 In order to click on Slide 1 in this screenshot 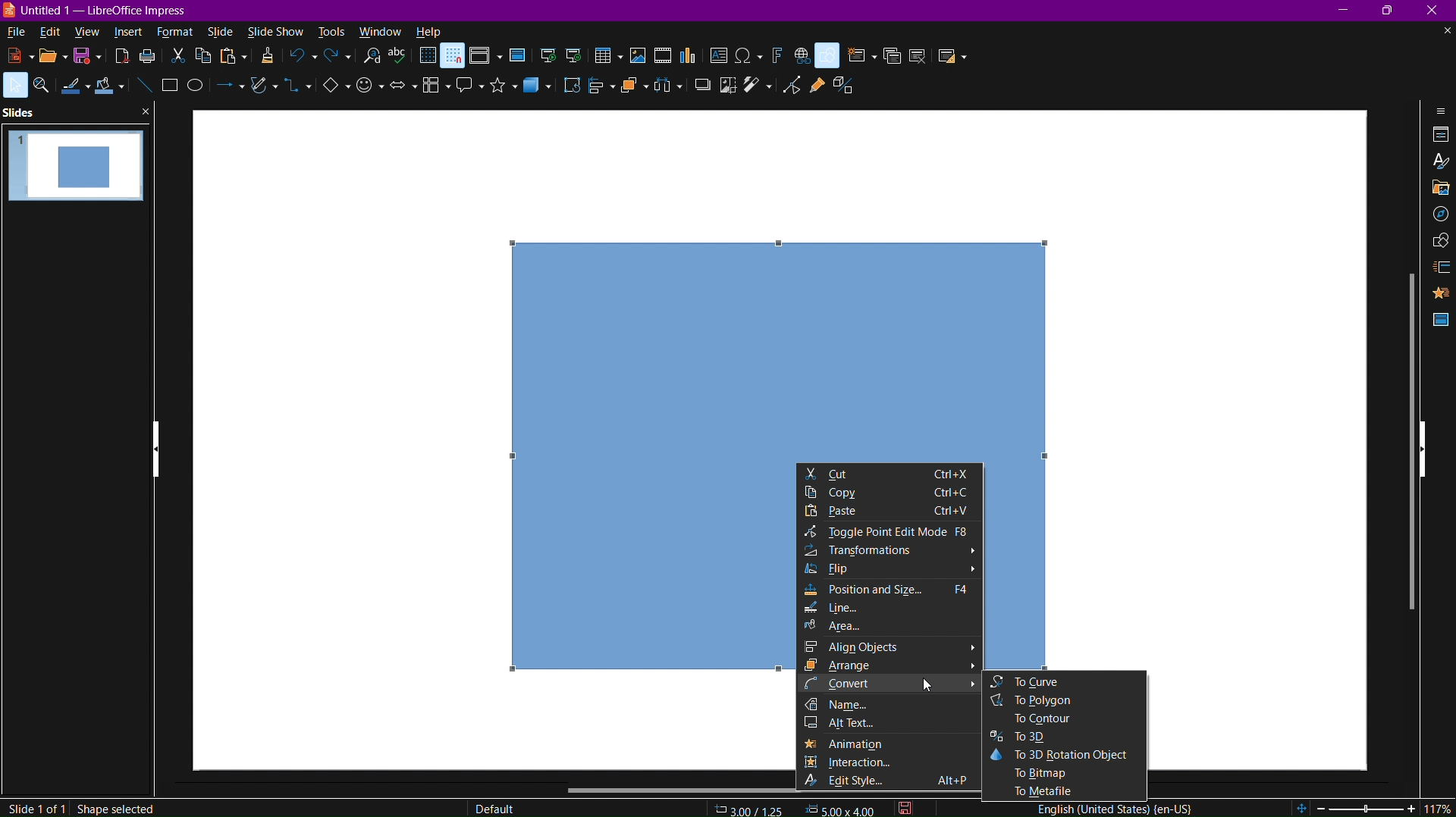, I will do `click(77, 172)`.